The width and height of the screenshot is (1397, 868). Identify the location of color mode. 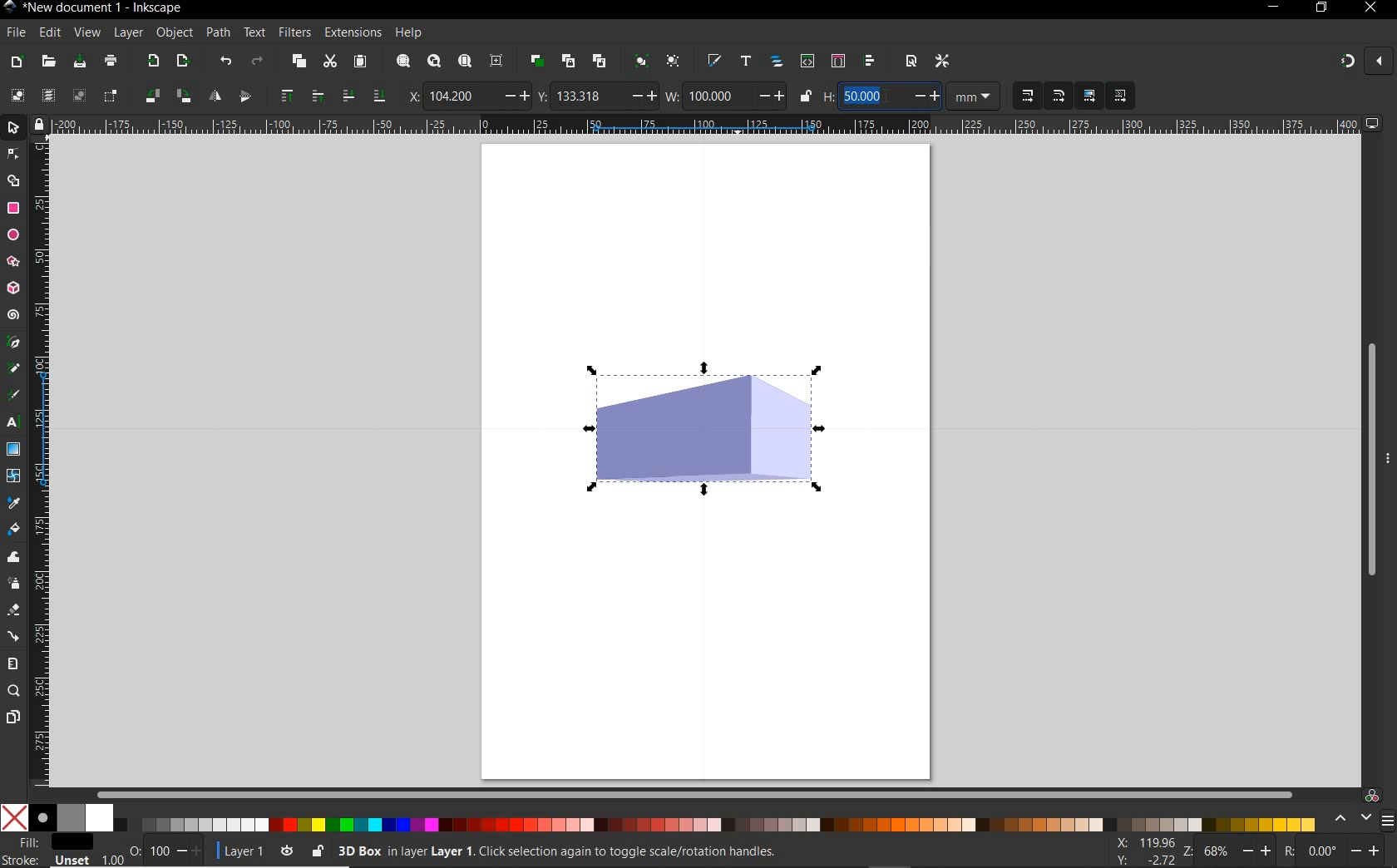
(662, 817).